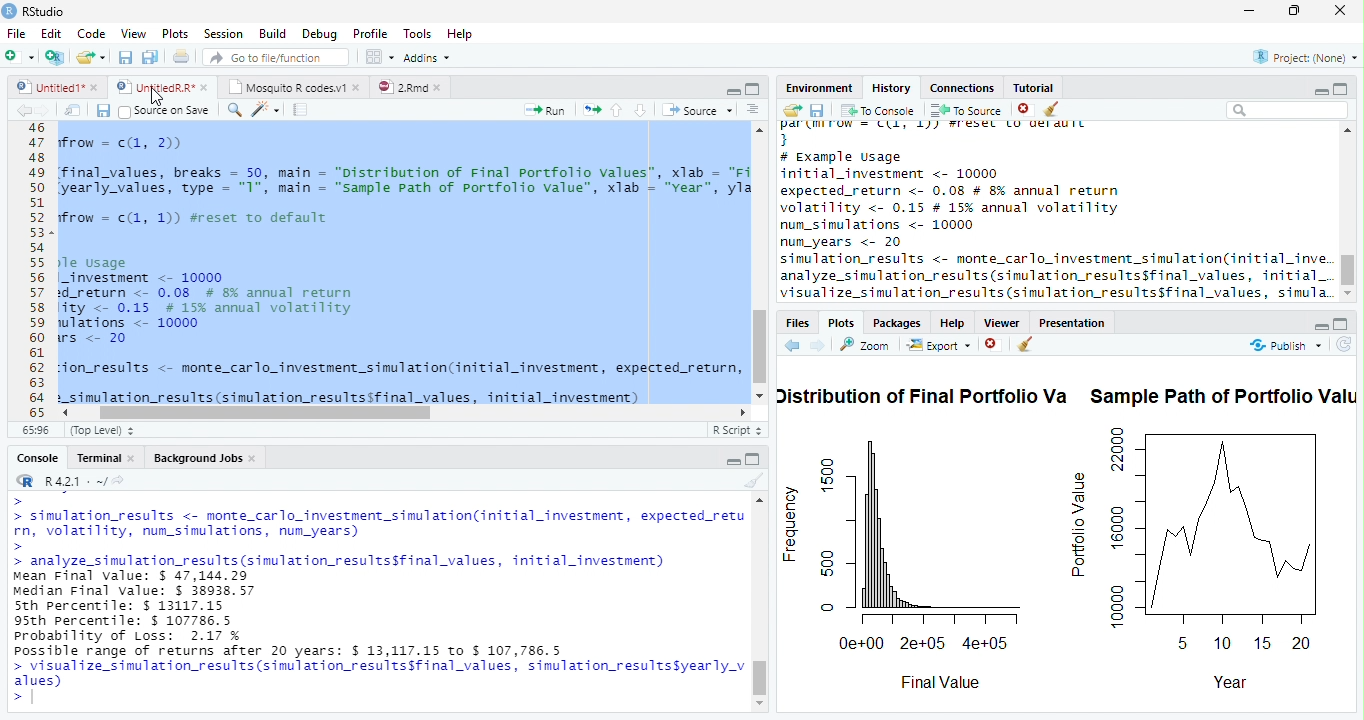 This screenshot has width=1364, height=720. I want to click on Presentation, so click(1072, 321).